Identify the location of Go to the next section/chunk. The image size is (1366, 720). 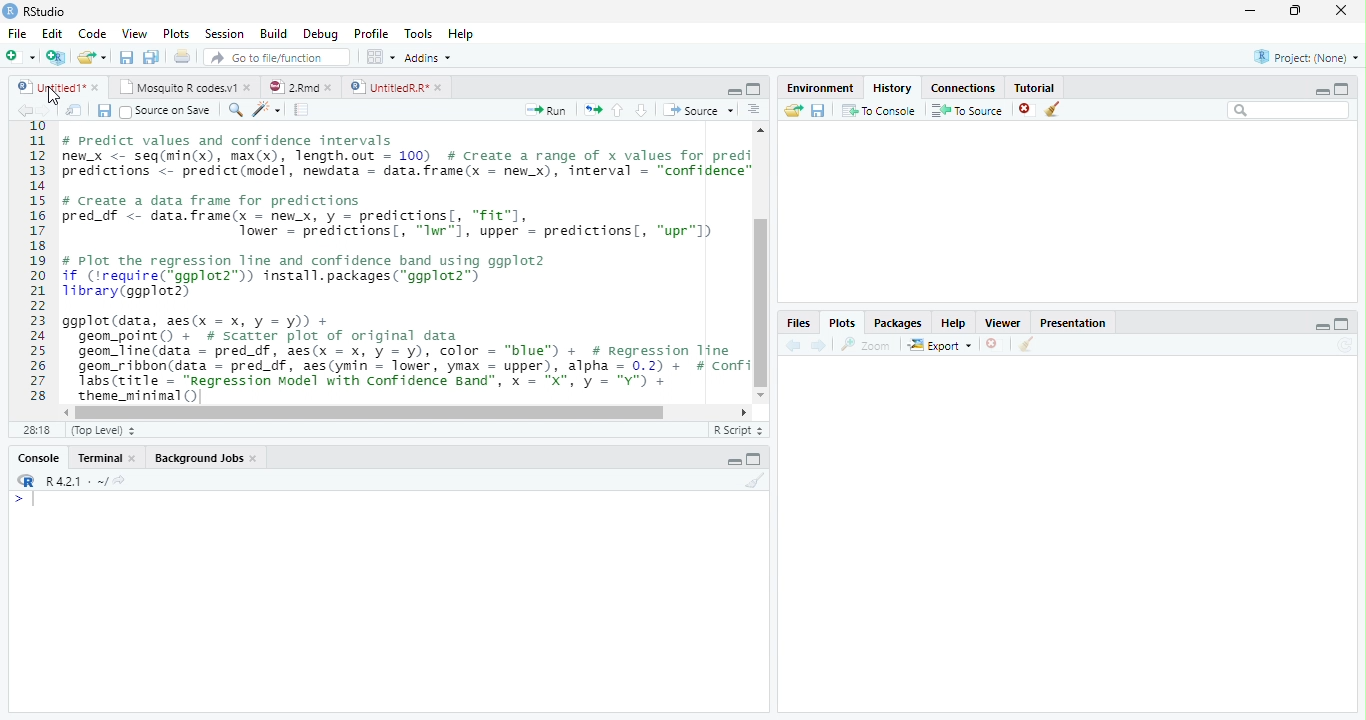
(642, 111).